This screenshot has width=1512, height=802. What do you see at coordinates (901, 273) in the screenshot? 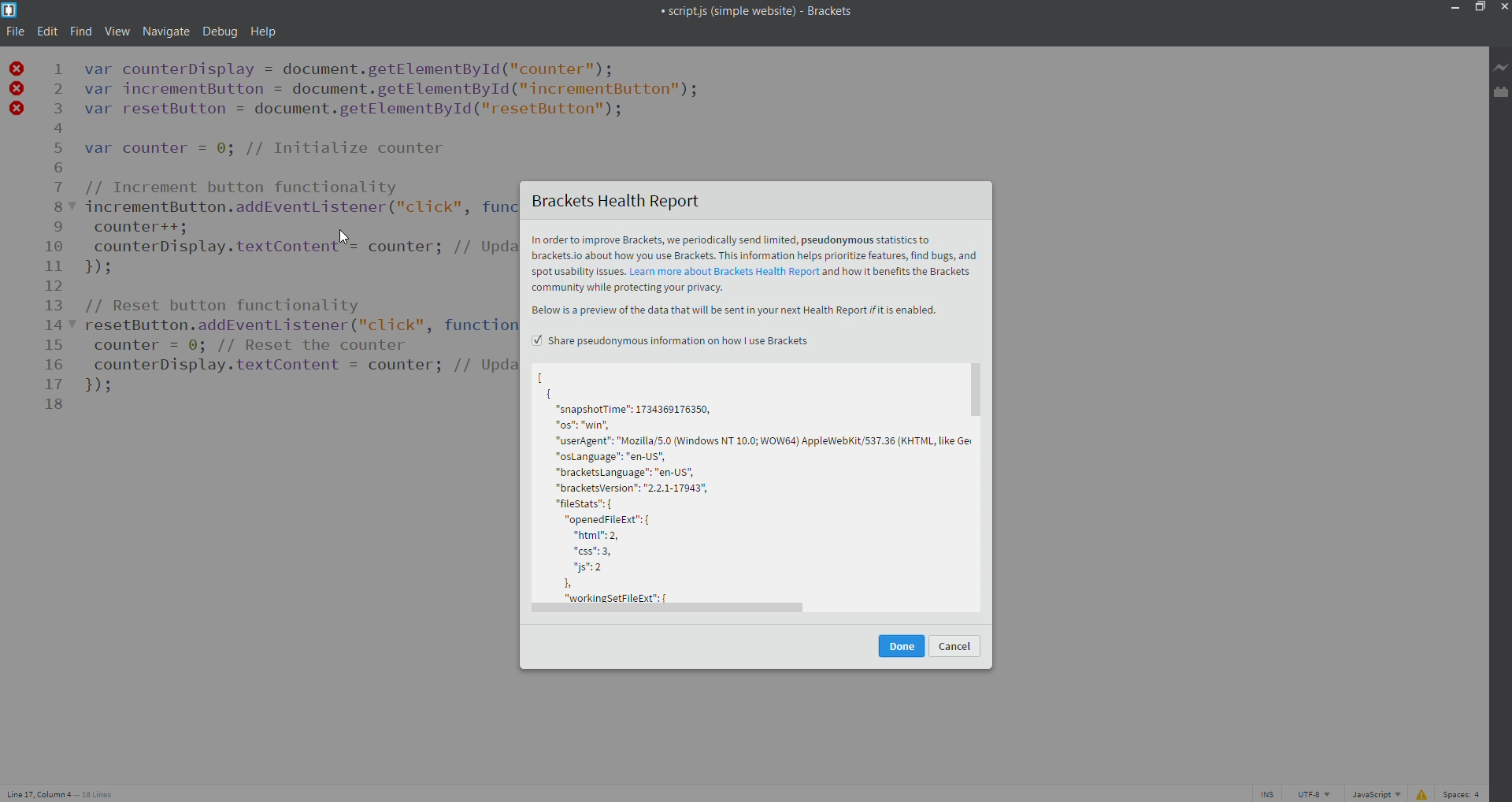
I see `how it benefits the Brackets` at bounding box center [901, 273].